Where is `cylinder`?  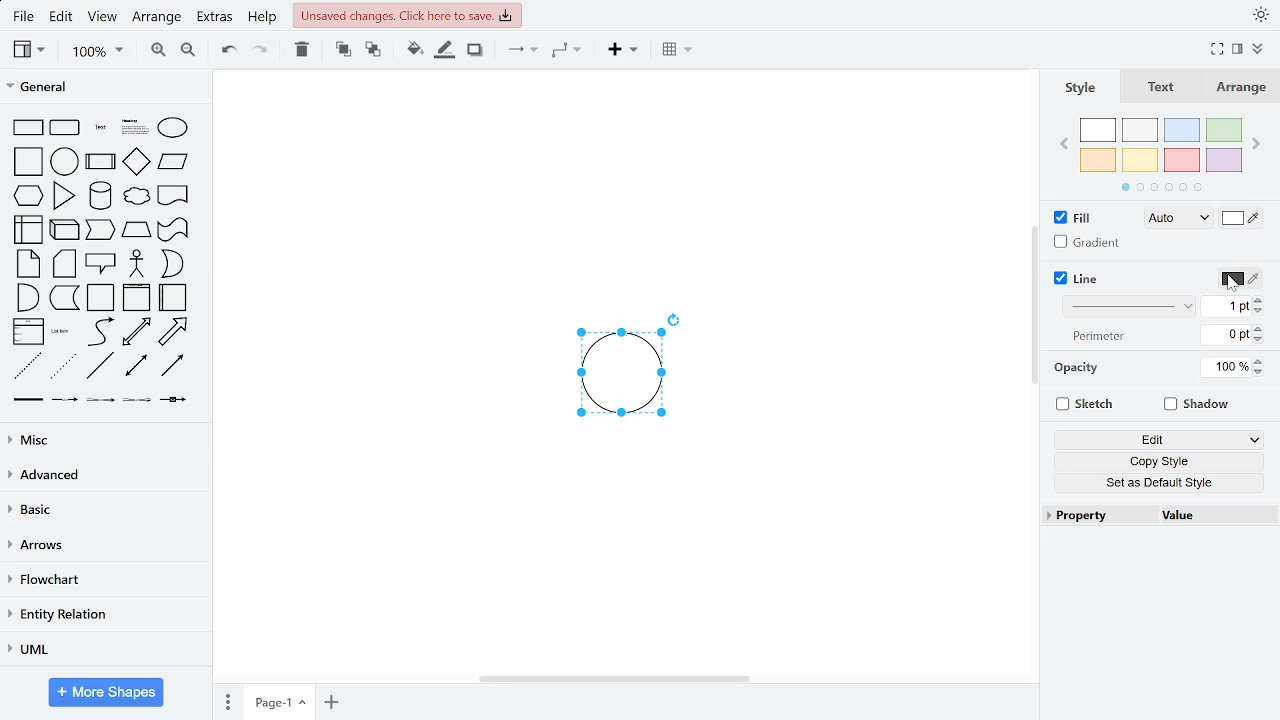 cylinder is located at coordinates (100, 196).